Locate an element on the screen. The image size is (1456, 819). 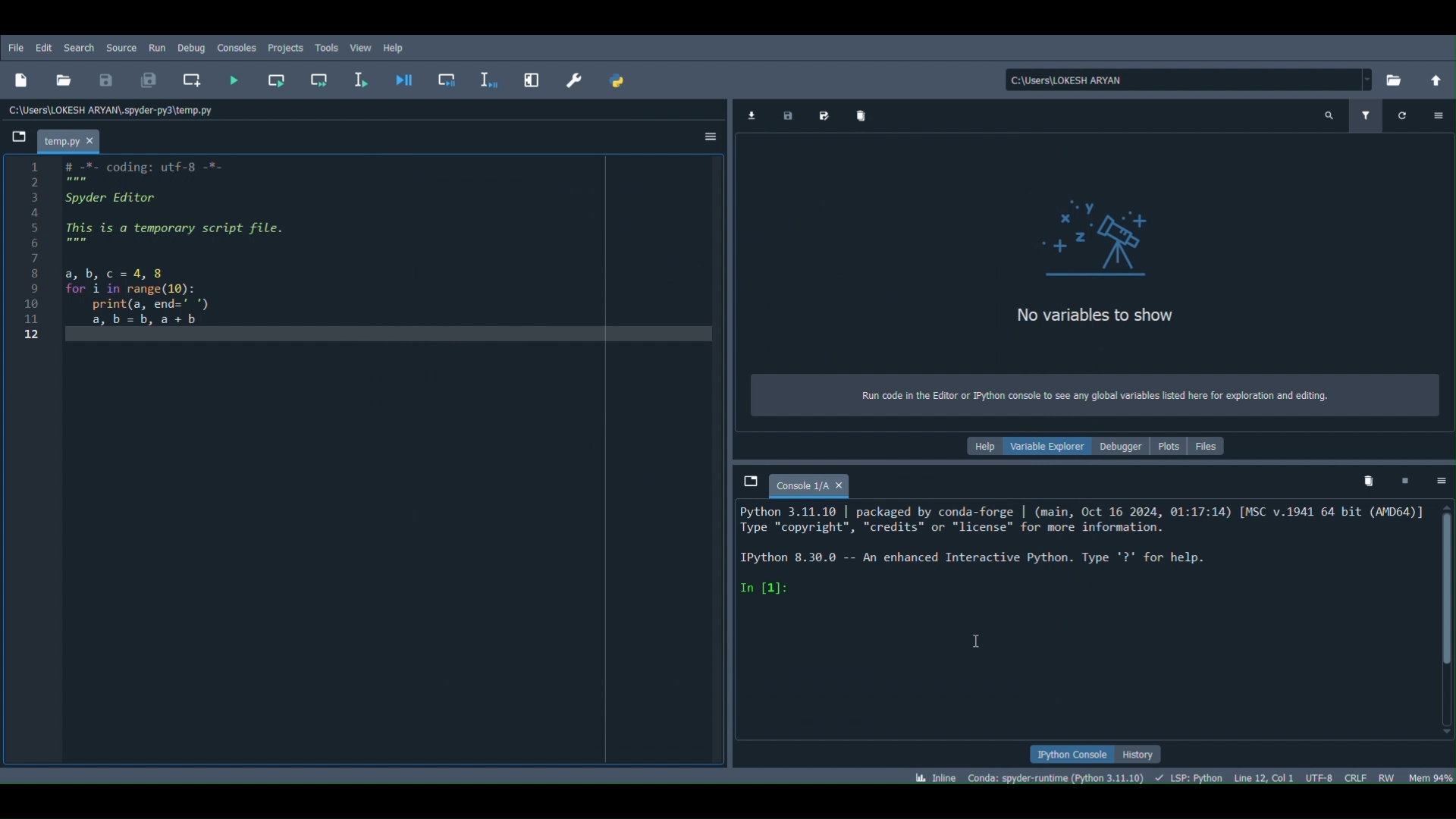
Interrupt kernel is located at coordinates (1407, 482).